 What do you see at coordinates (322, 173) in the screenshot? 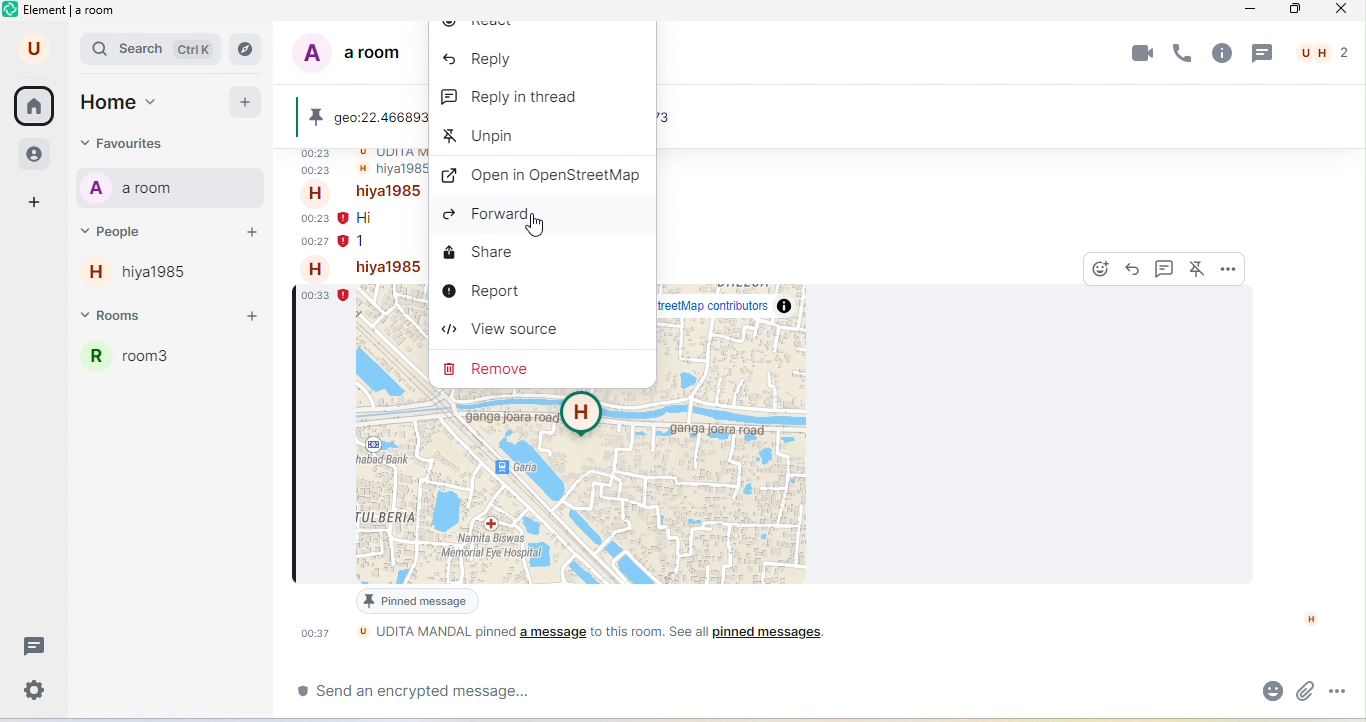
I see `00.23` at bounding box center [322, 173].